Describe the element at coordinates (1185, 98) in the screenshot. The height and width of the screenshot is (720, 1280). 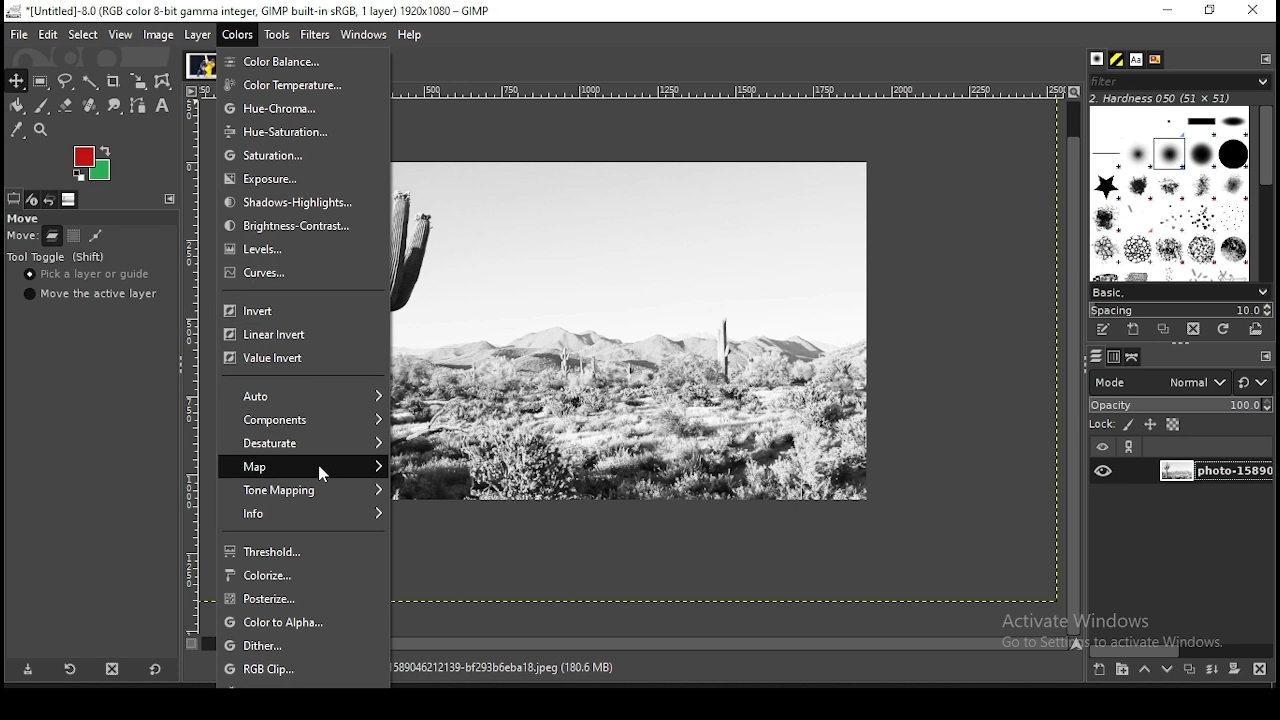
I see `hardness 050` at that location.